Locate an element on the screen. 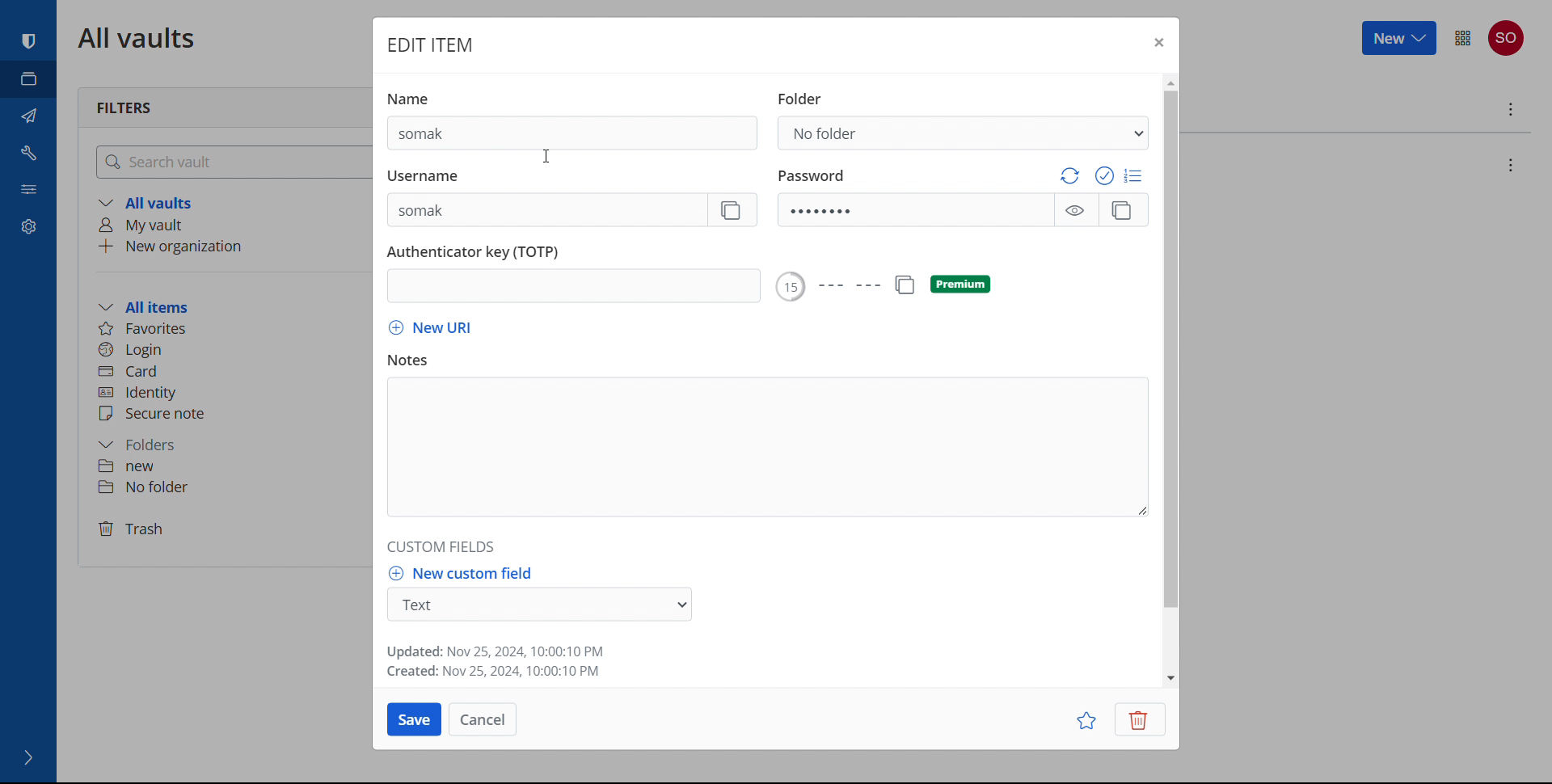 The height and width of the screenshot is (784, 1552). scrollbar is located at coordinates (1170, 350).